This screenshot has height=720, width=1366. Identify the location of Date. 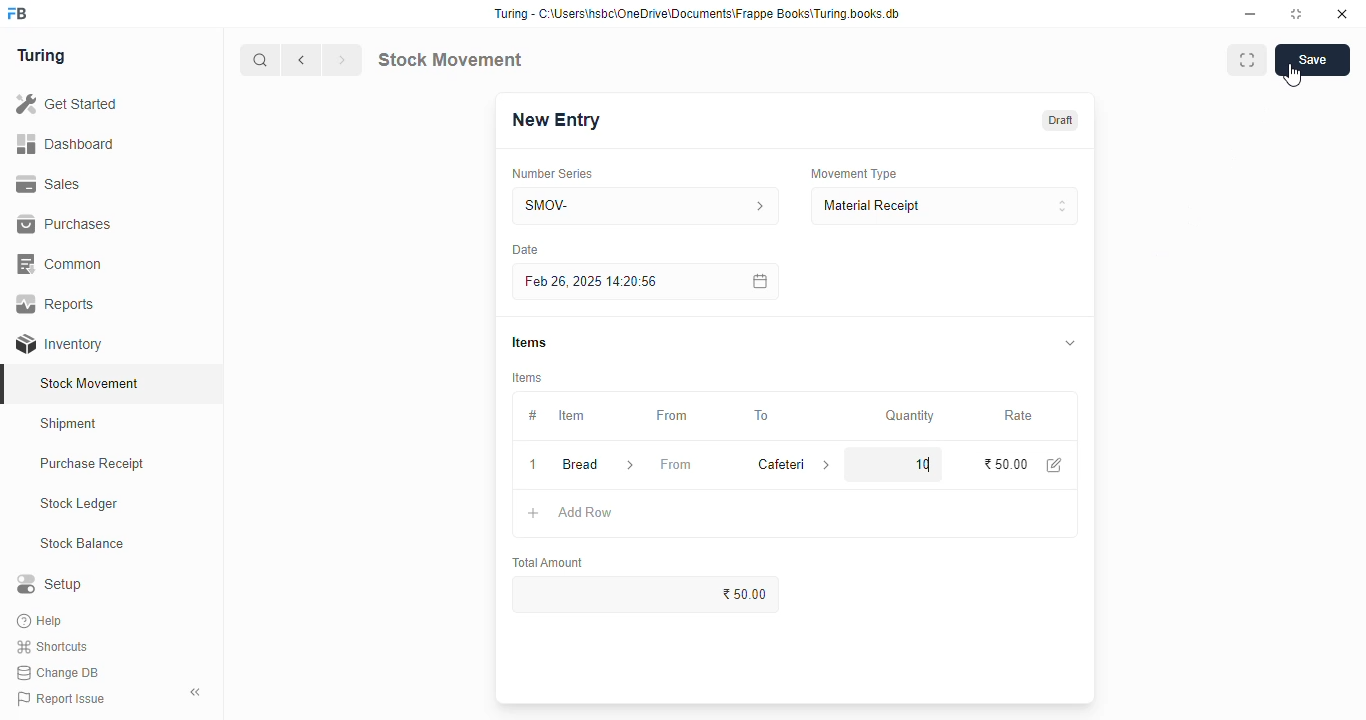
(525, 249).